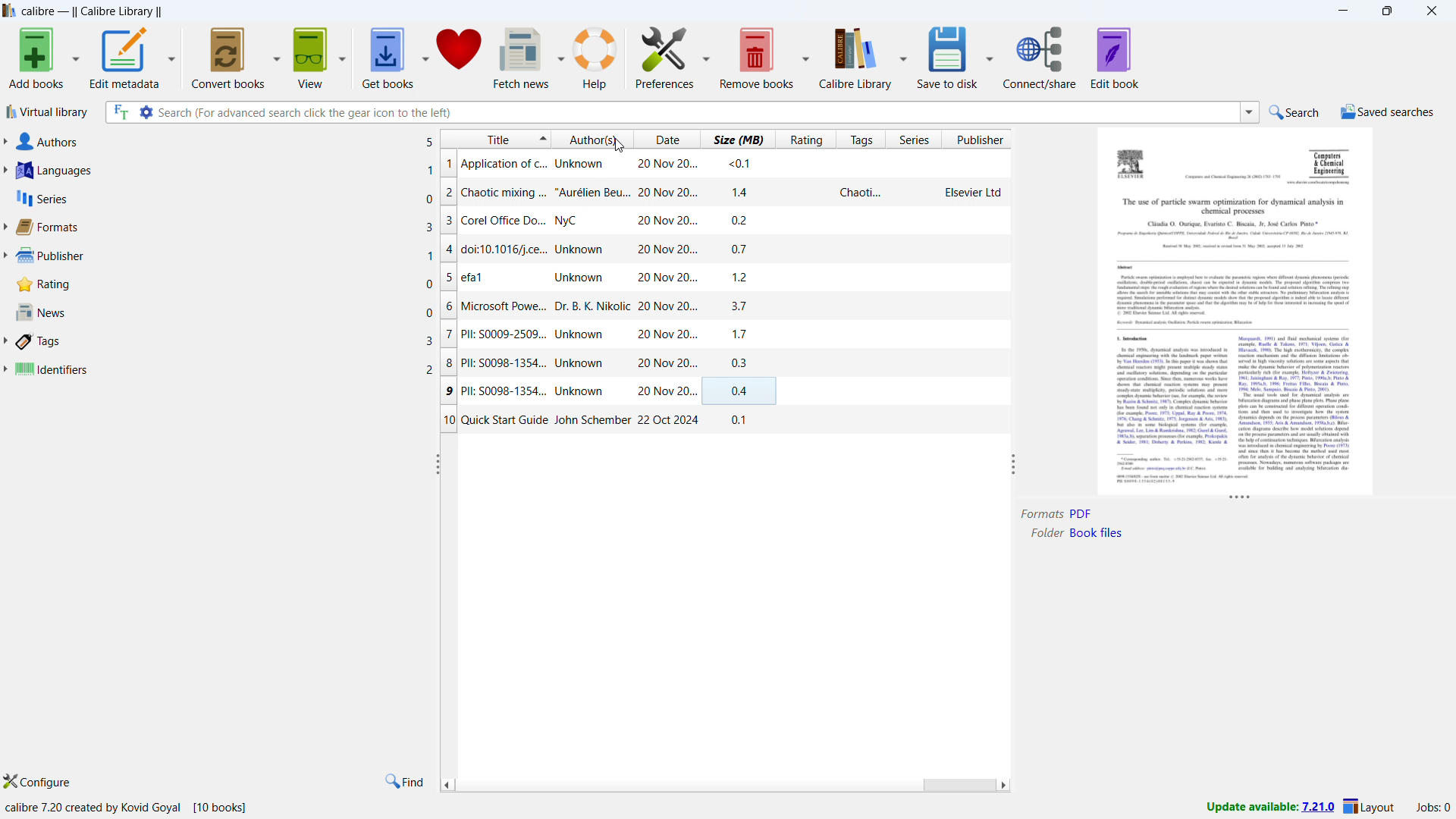 The height and width of the screenshot is (819, 1456). Describe the element at coordinates (1129, 339) in the screenshot. I see `` at that location.